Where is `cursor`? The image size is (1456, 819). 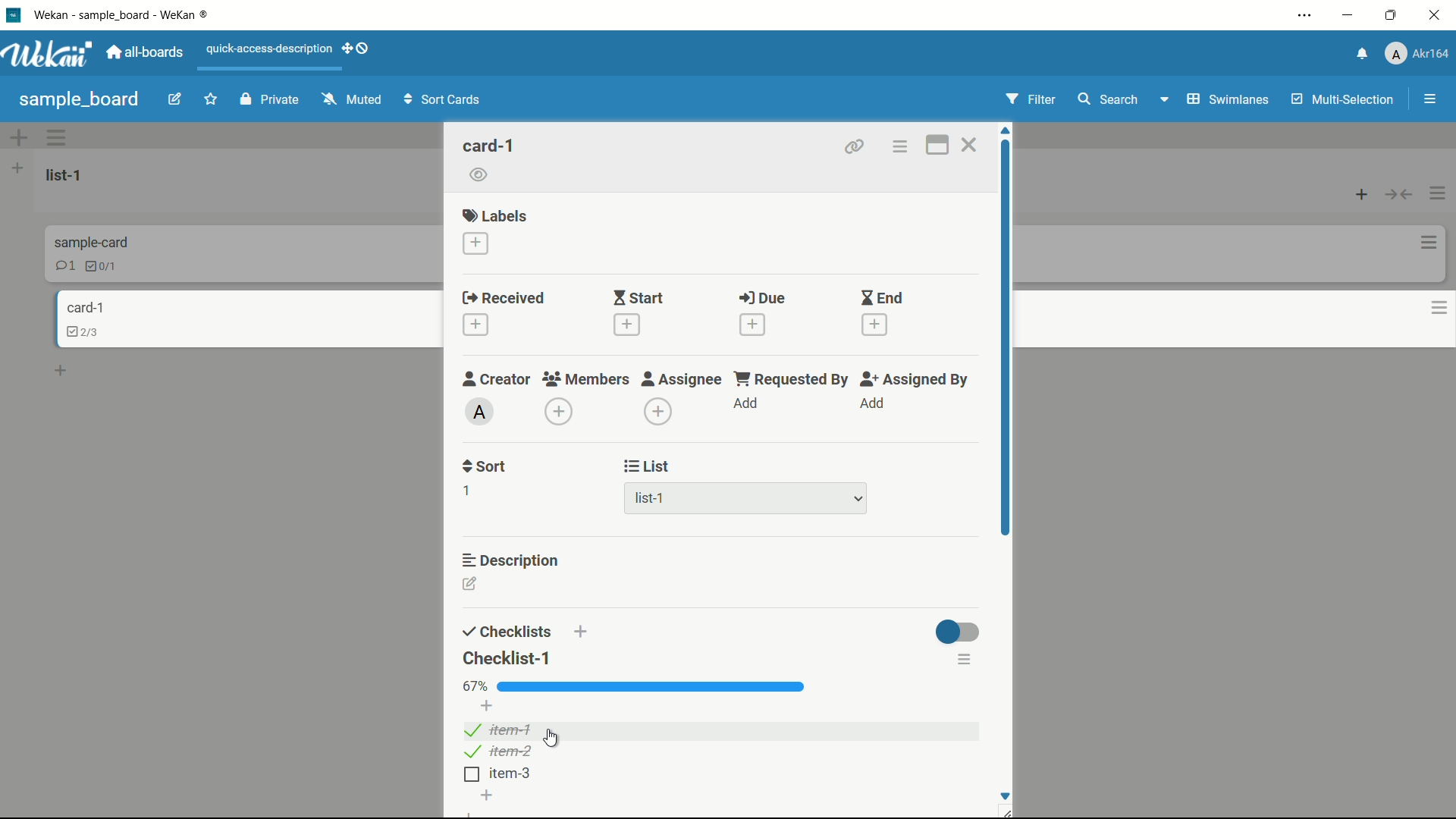 cursor is located at coordinates (551, 739).